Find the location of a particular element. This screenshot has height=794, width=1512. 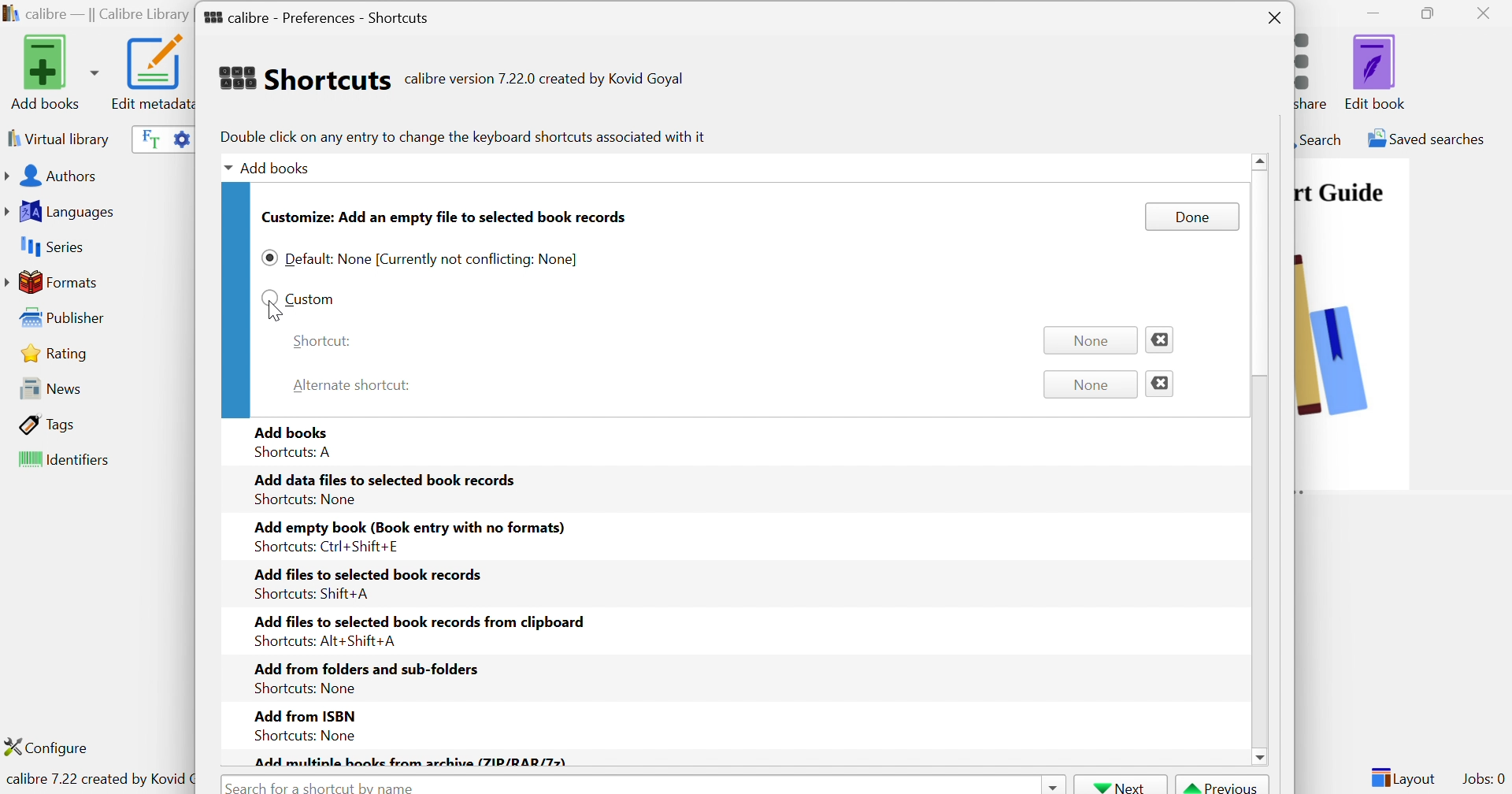

None is located at coordinates (1091, 385).